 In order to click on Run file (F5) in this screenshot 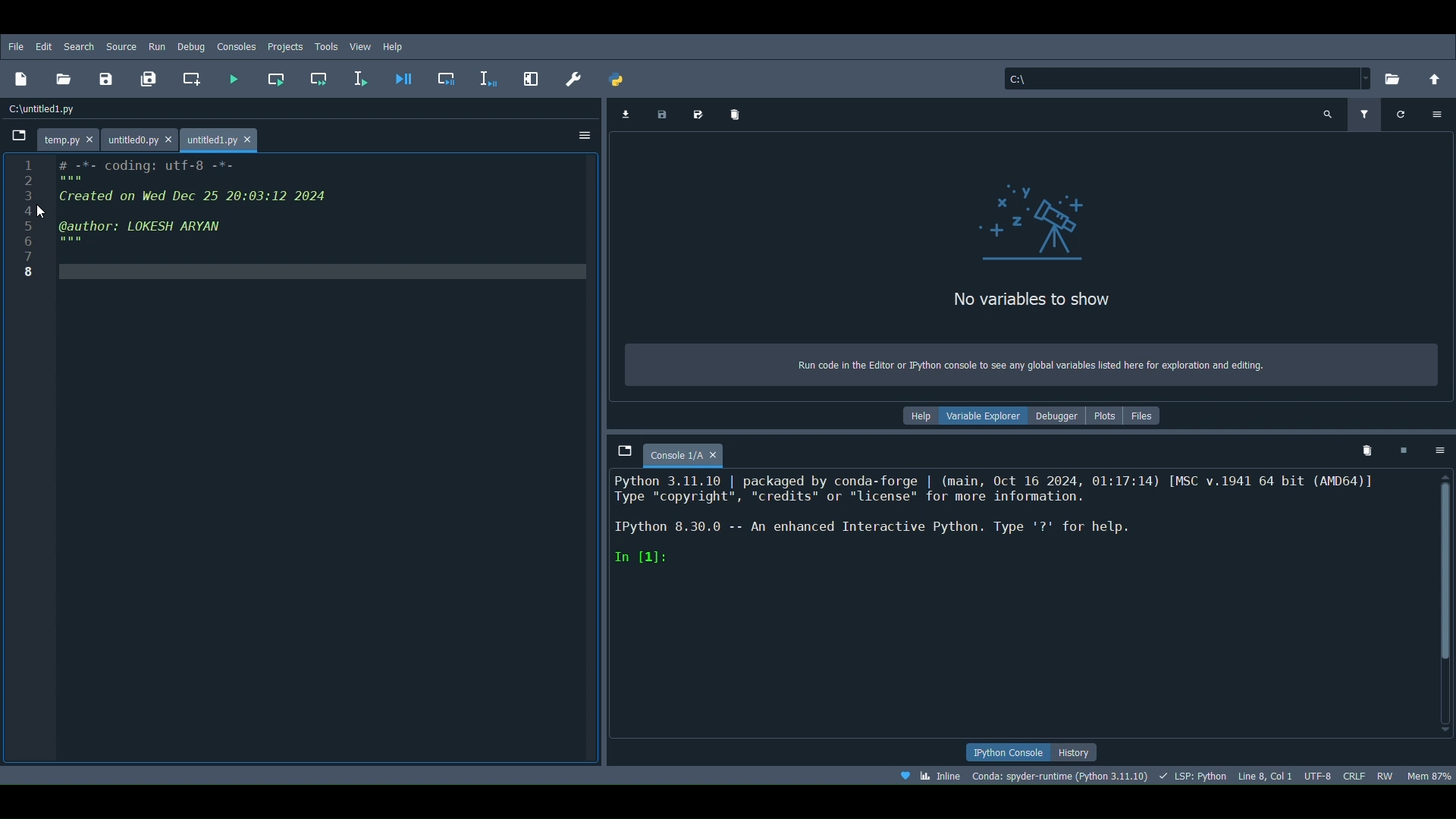, I will do `click(232, 78)`.